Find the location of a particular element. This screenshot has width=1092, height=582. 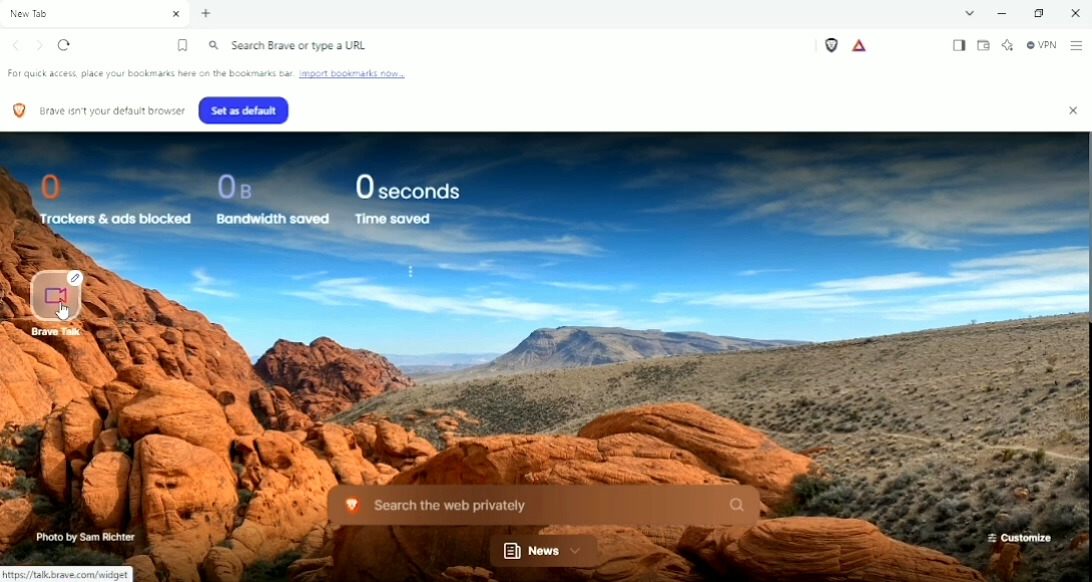

Minimize is located at coordinates (1006, 14).